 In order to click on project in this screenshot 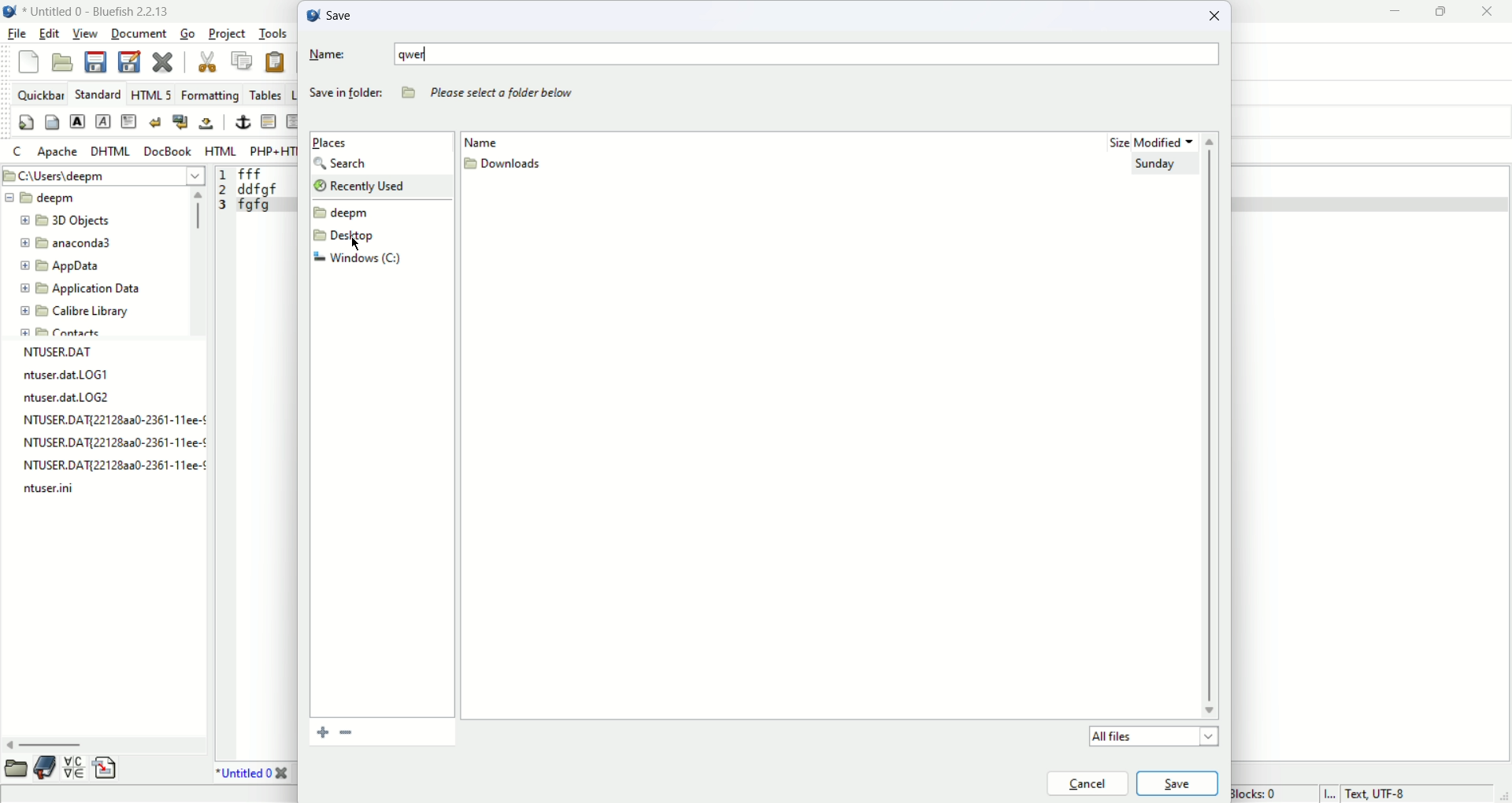, I will do `click(225, 32)`.